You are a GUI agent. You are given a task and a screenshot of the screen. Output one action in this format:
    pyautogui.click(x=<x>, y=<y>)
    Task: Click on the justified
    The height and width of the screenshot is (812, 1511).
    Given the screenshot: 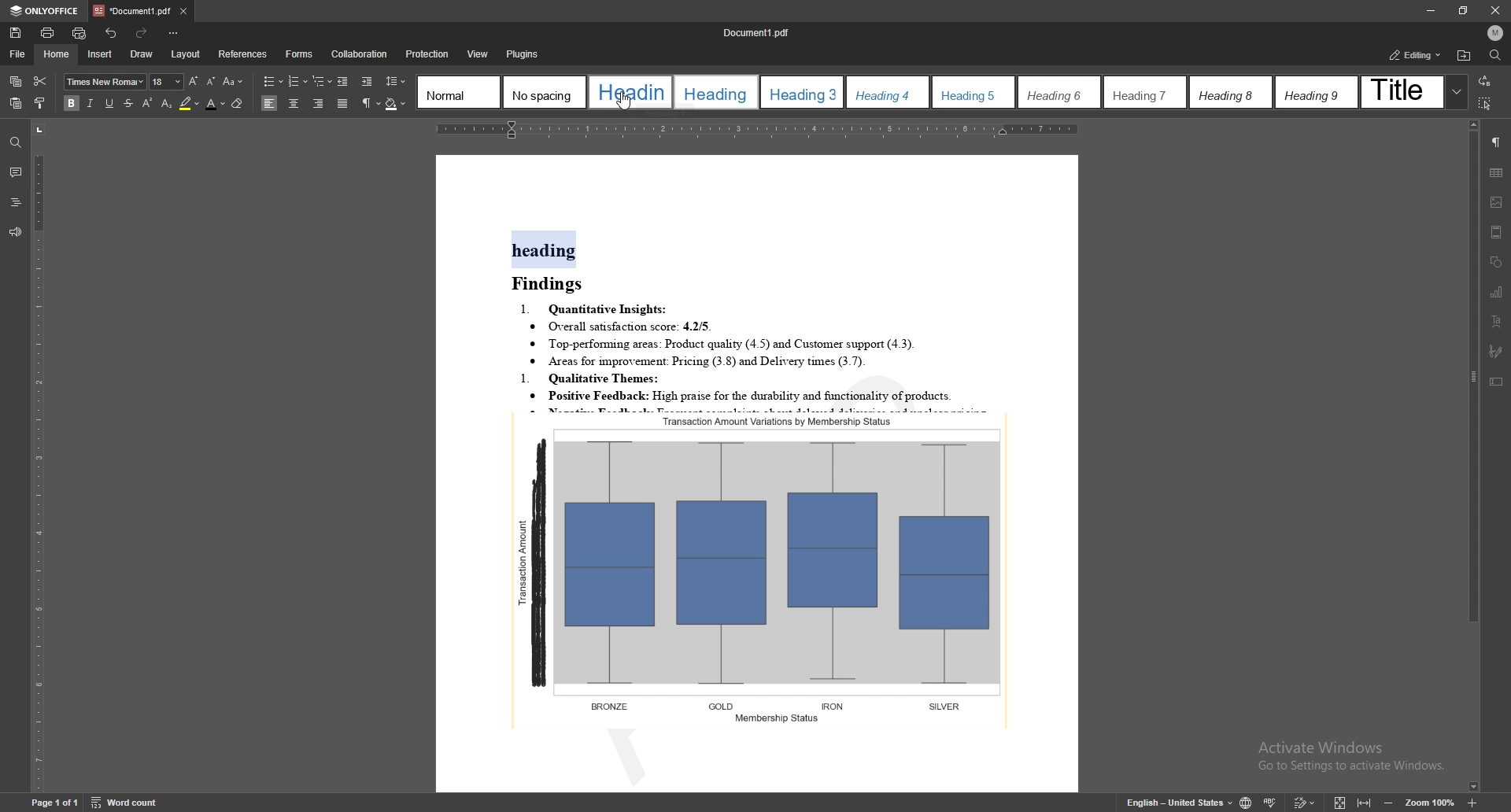 What is the action you would take?
    pyautogui.click(x=343, y=104)
    